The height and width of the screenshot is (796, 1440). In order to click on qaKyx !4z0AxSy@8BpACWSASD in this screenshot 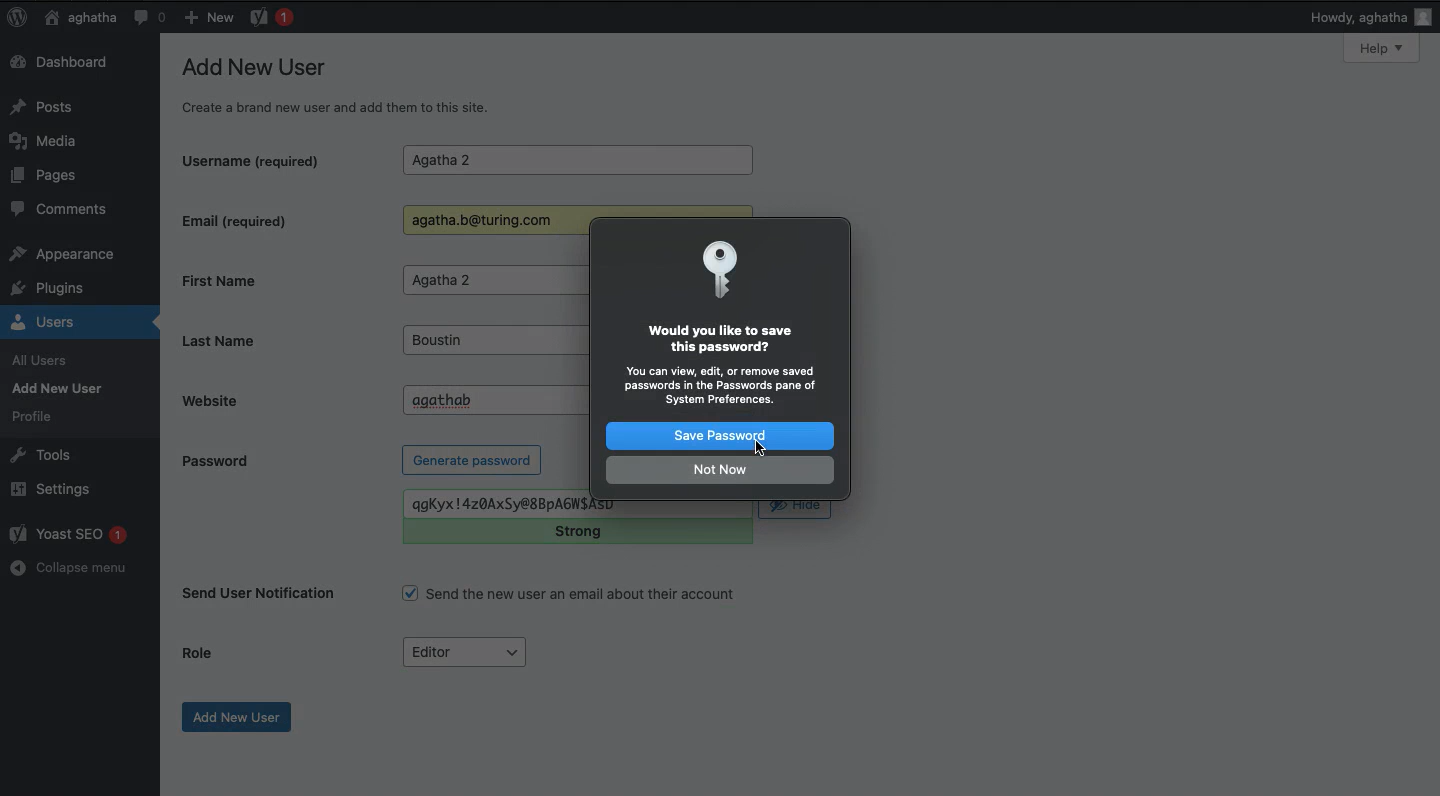, I will do `click(515, 505)`.